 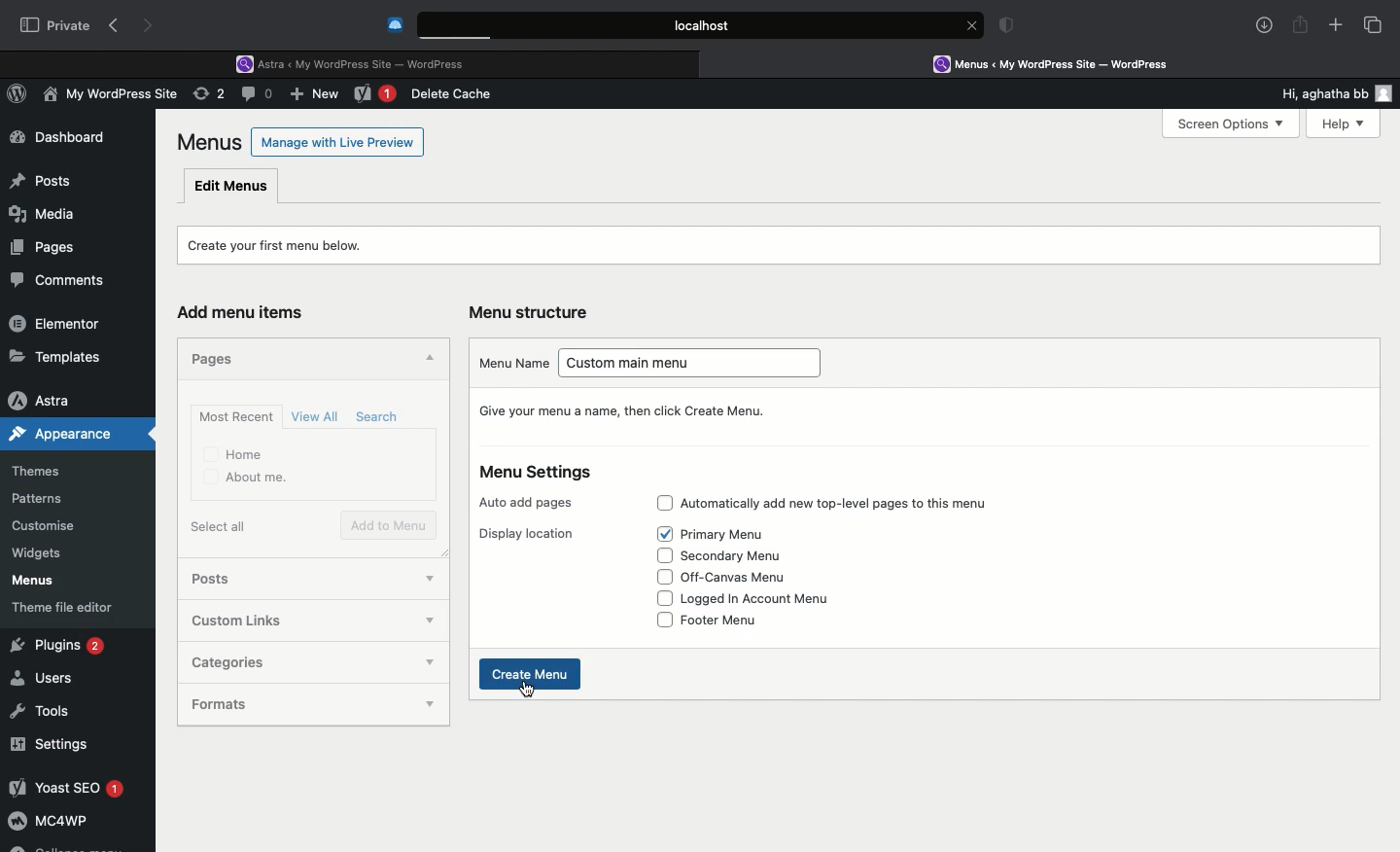 I want to click on Show, so click(x=430, y=575).